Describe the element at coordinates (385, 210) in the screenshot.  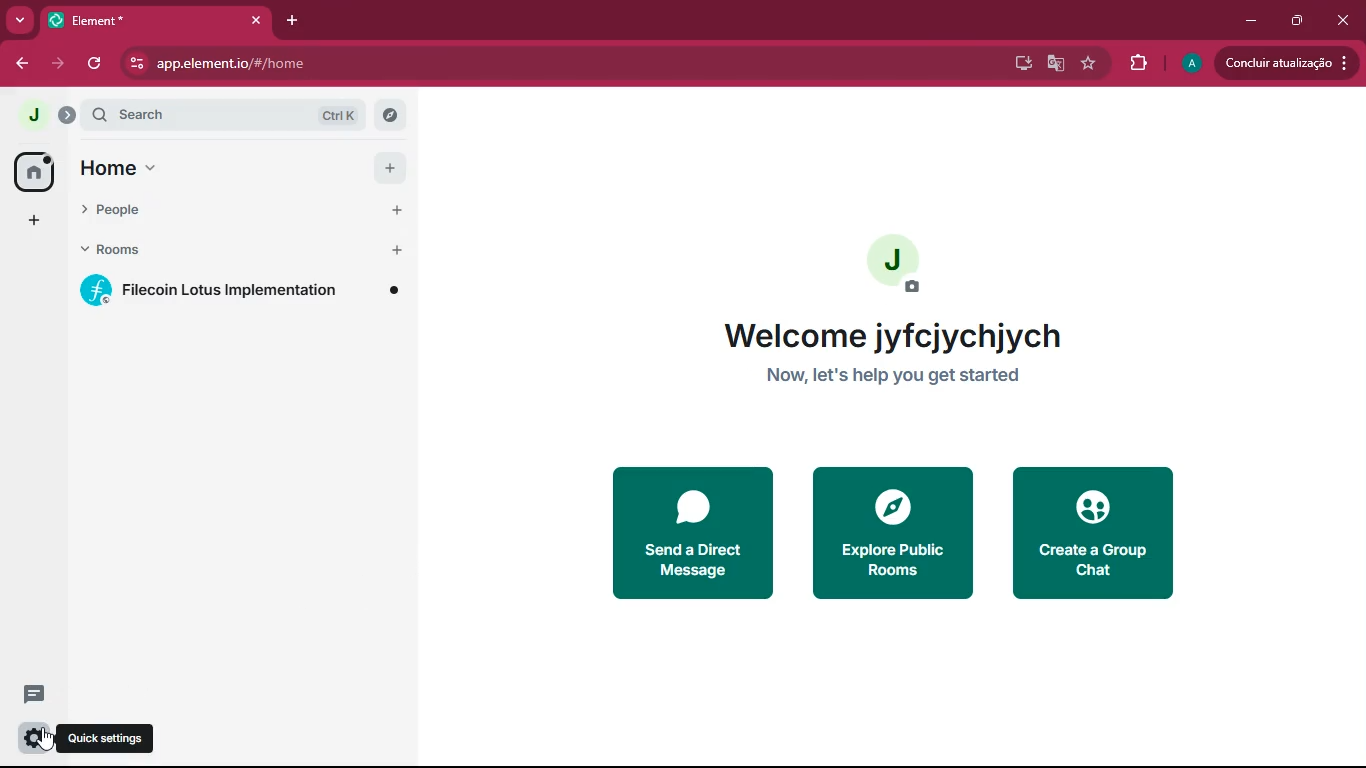
I see `add` at that location.